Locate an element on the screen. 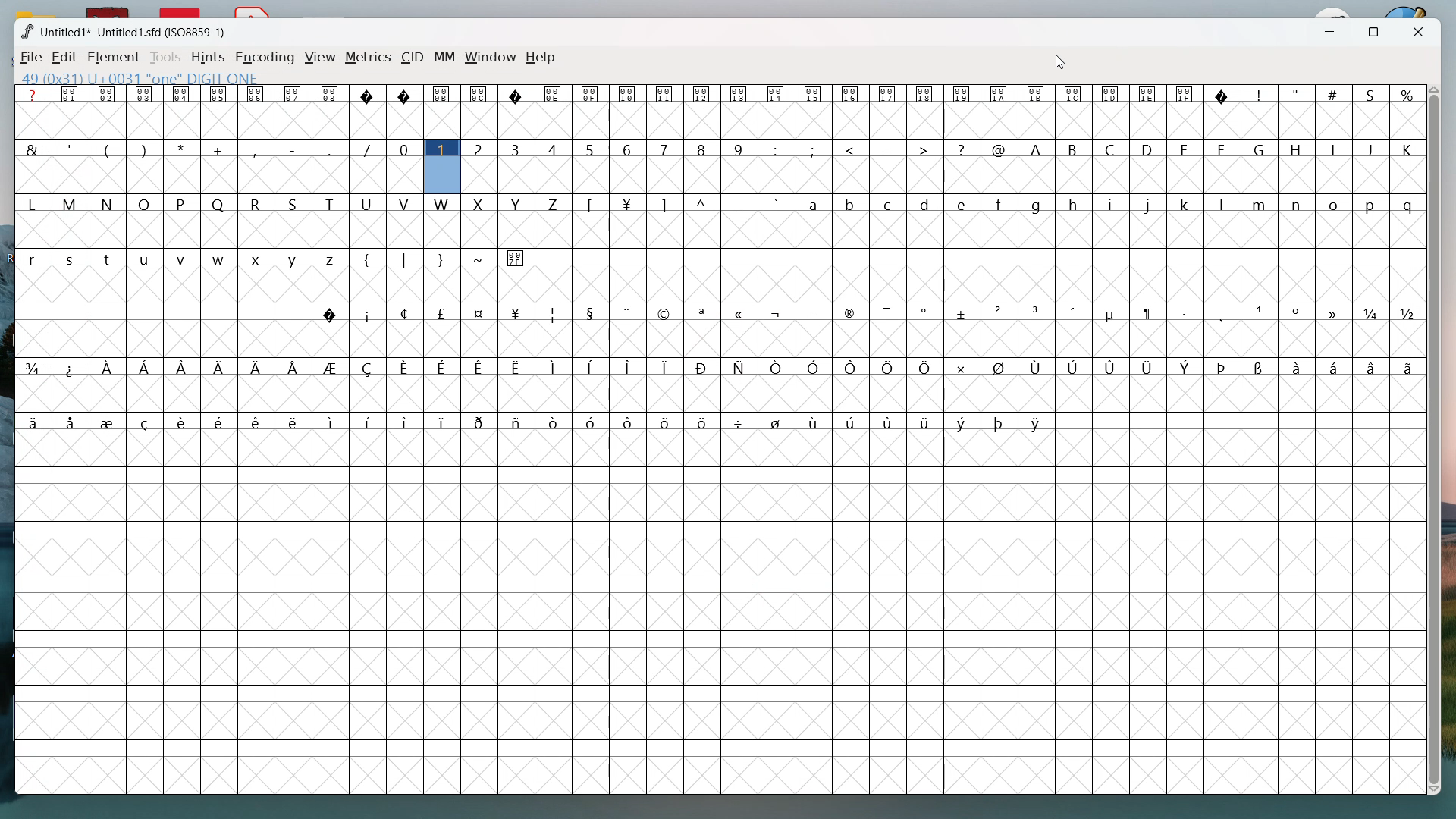  symbol is located at coordinates (146, 367).